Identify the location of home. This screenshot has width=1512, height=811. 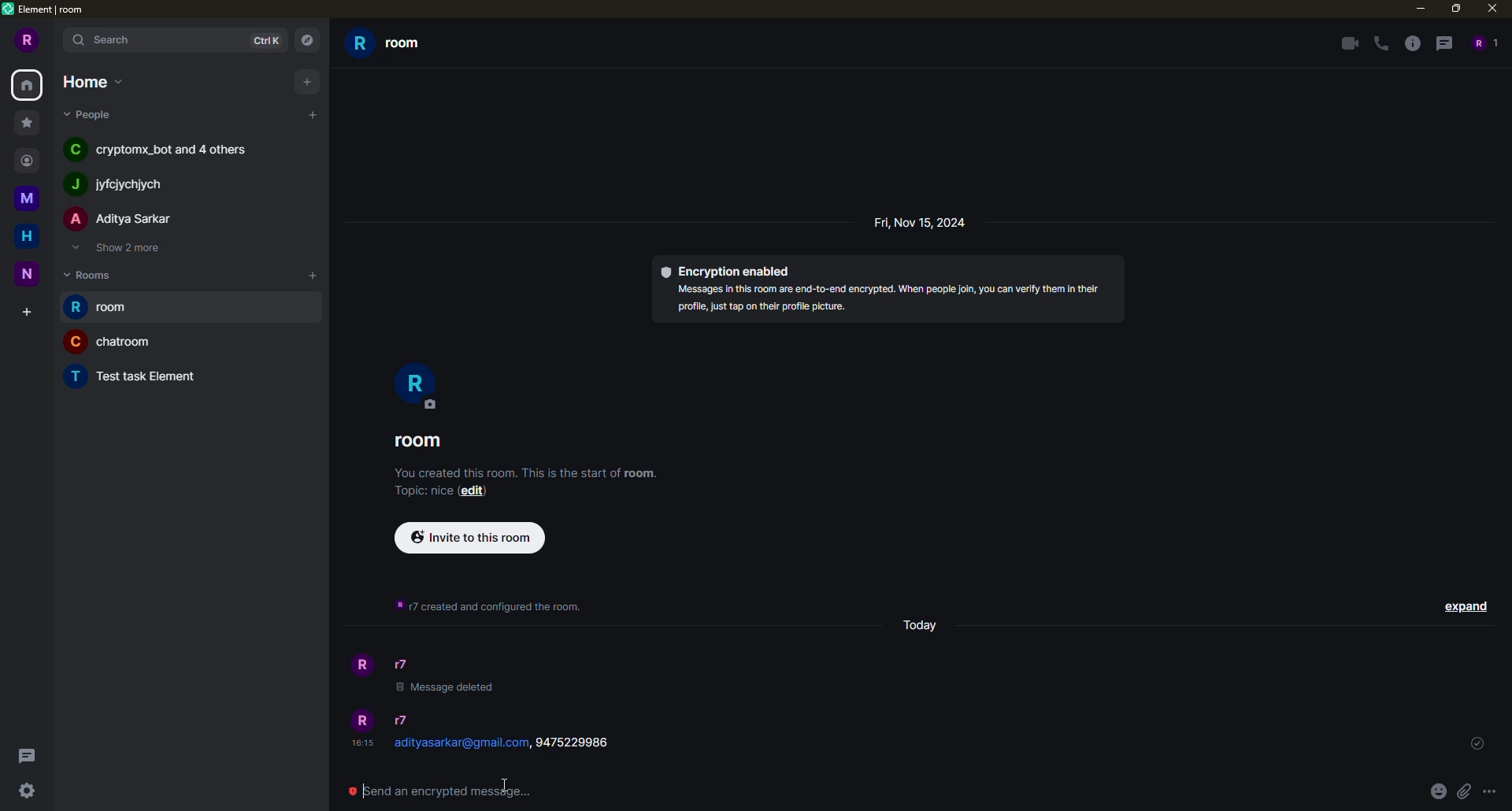
(24, 235).